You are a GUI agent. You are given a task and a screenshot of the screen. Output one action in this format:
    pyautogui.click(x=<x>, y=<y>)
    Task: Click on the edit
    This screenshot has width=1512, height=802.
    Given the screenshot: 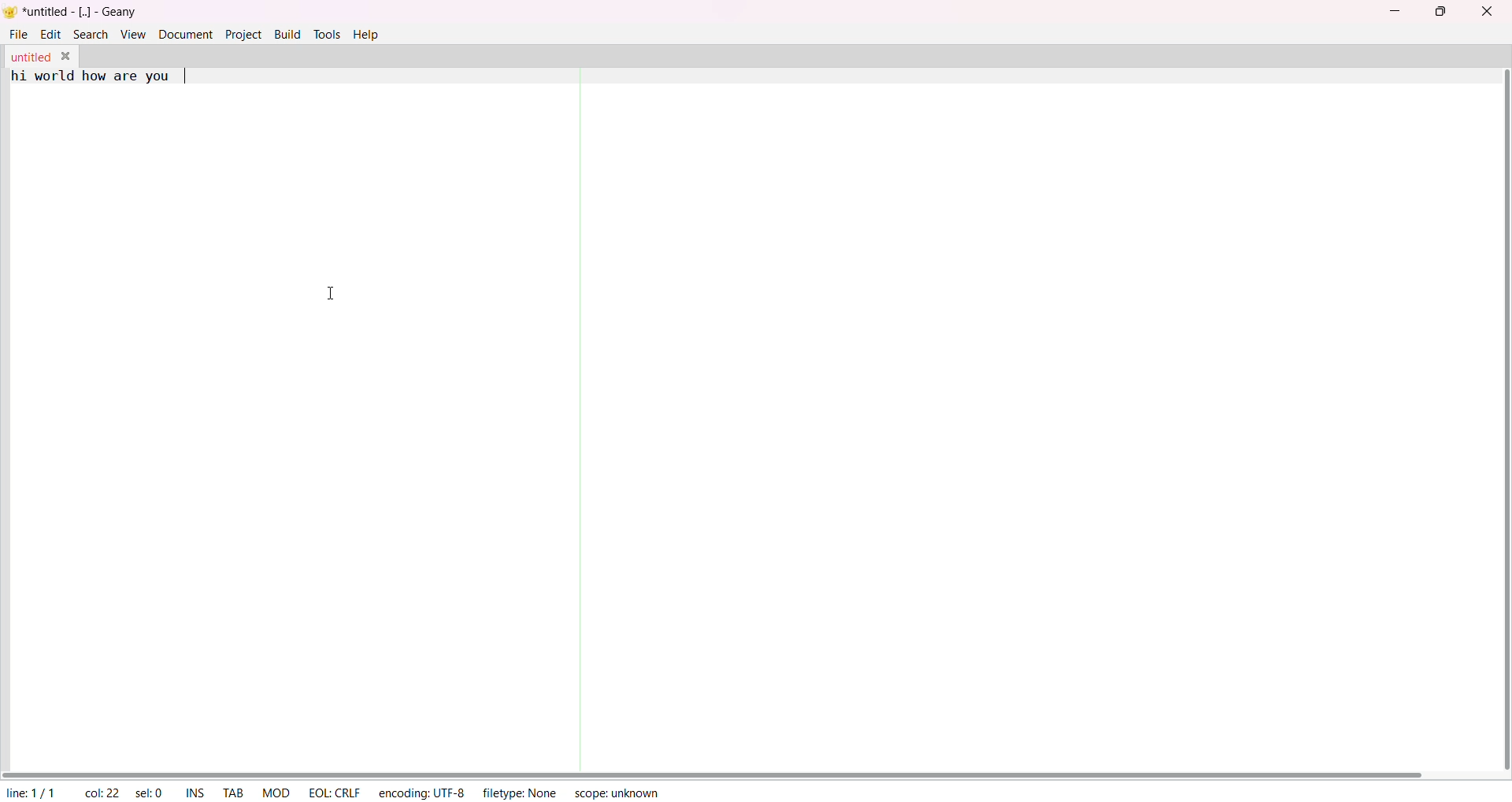 What is the action you would take?
    pyautogui.click(x=47, y=33)
    